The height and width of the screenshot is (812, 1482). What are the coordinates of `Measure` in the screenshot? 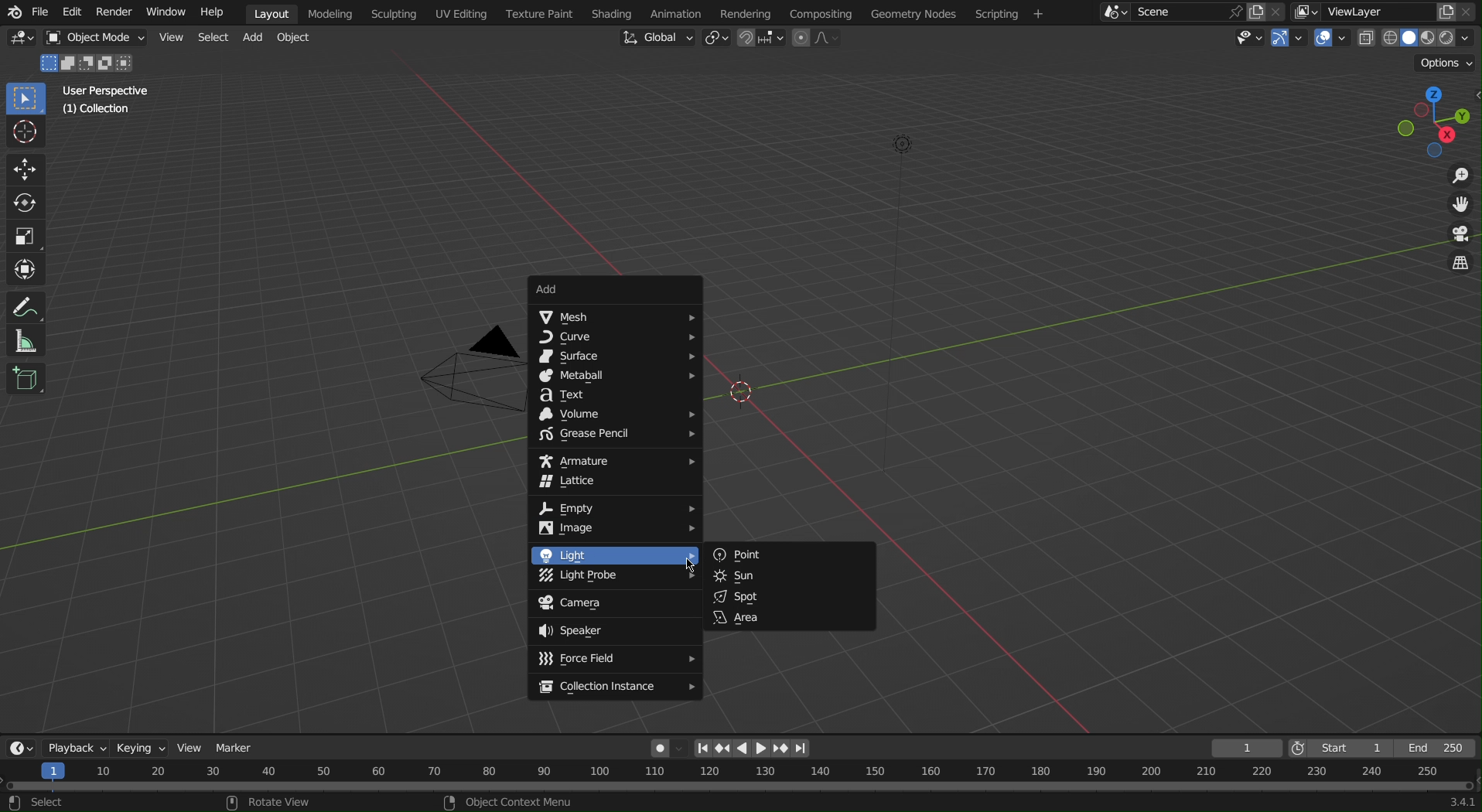 It's located at (29, 340).